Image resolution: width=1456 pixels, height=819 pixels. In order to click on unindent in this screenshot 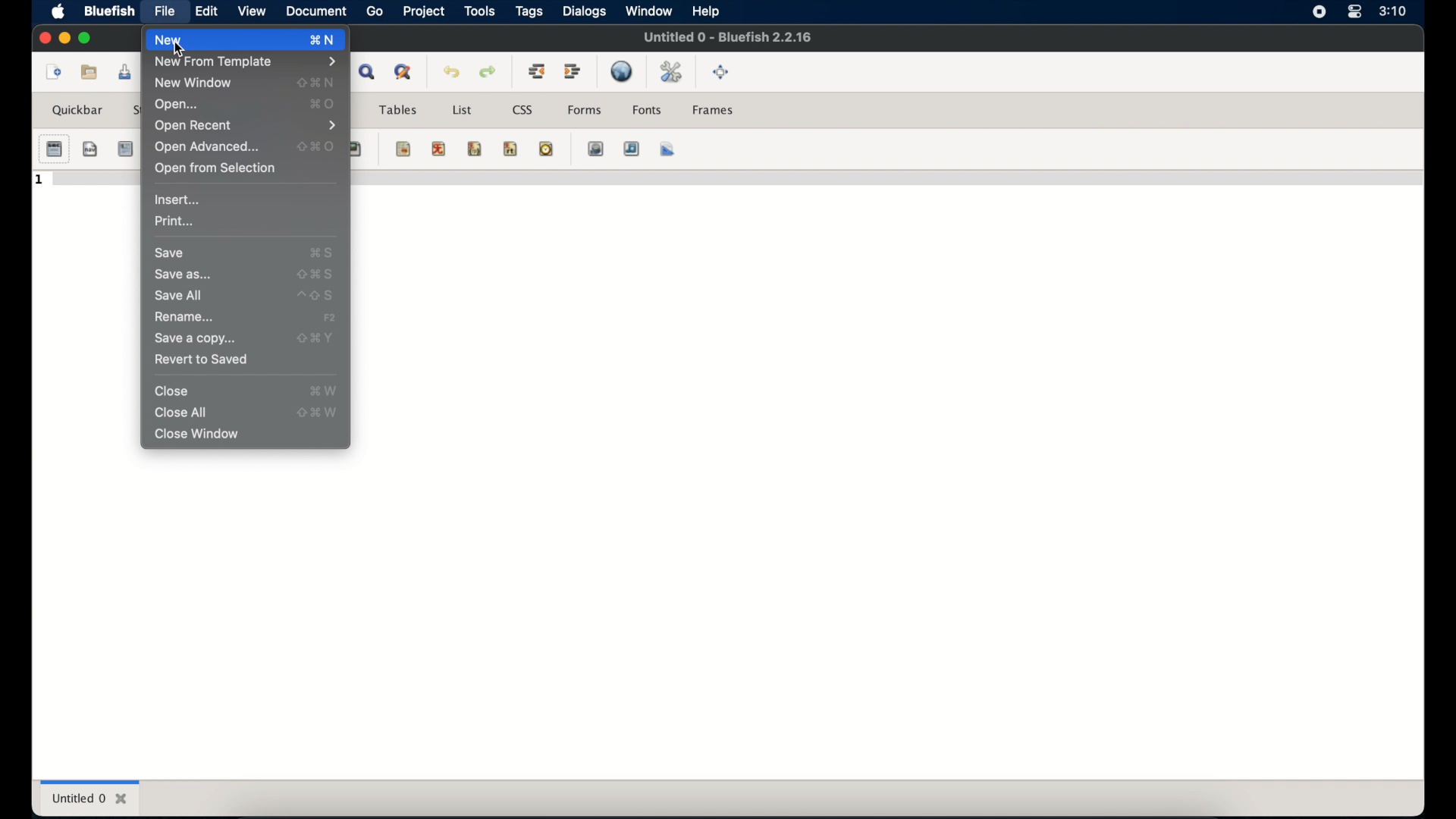, I will do `click(536, 71)`.